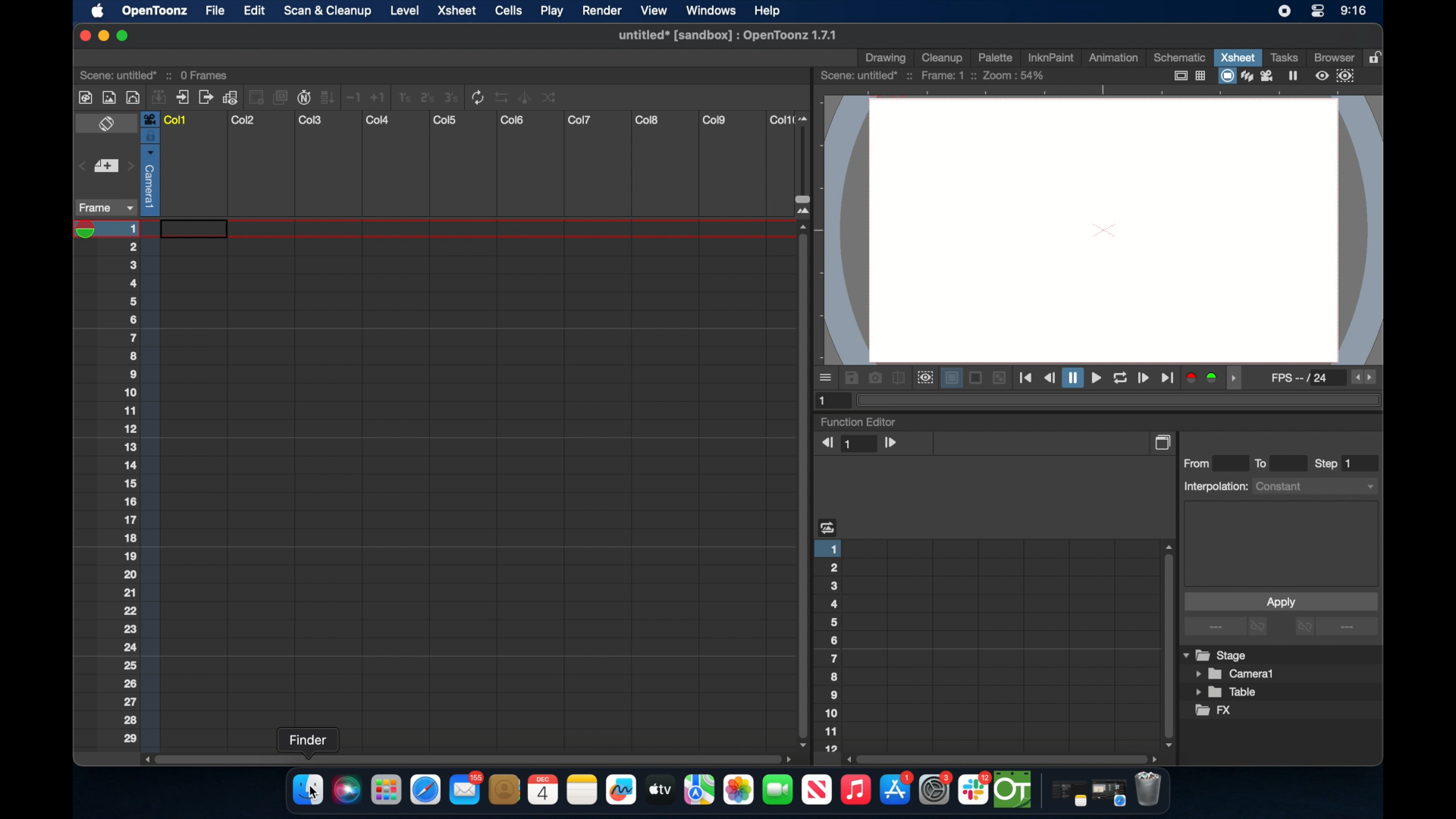 The height and width of the screenshot is (819, 1456). What do you see at coordinates (1353, 12) in the screenshot?
I see `time` at bounding box center [1353, 12].